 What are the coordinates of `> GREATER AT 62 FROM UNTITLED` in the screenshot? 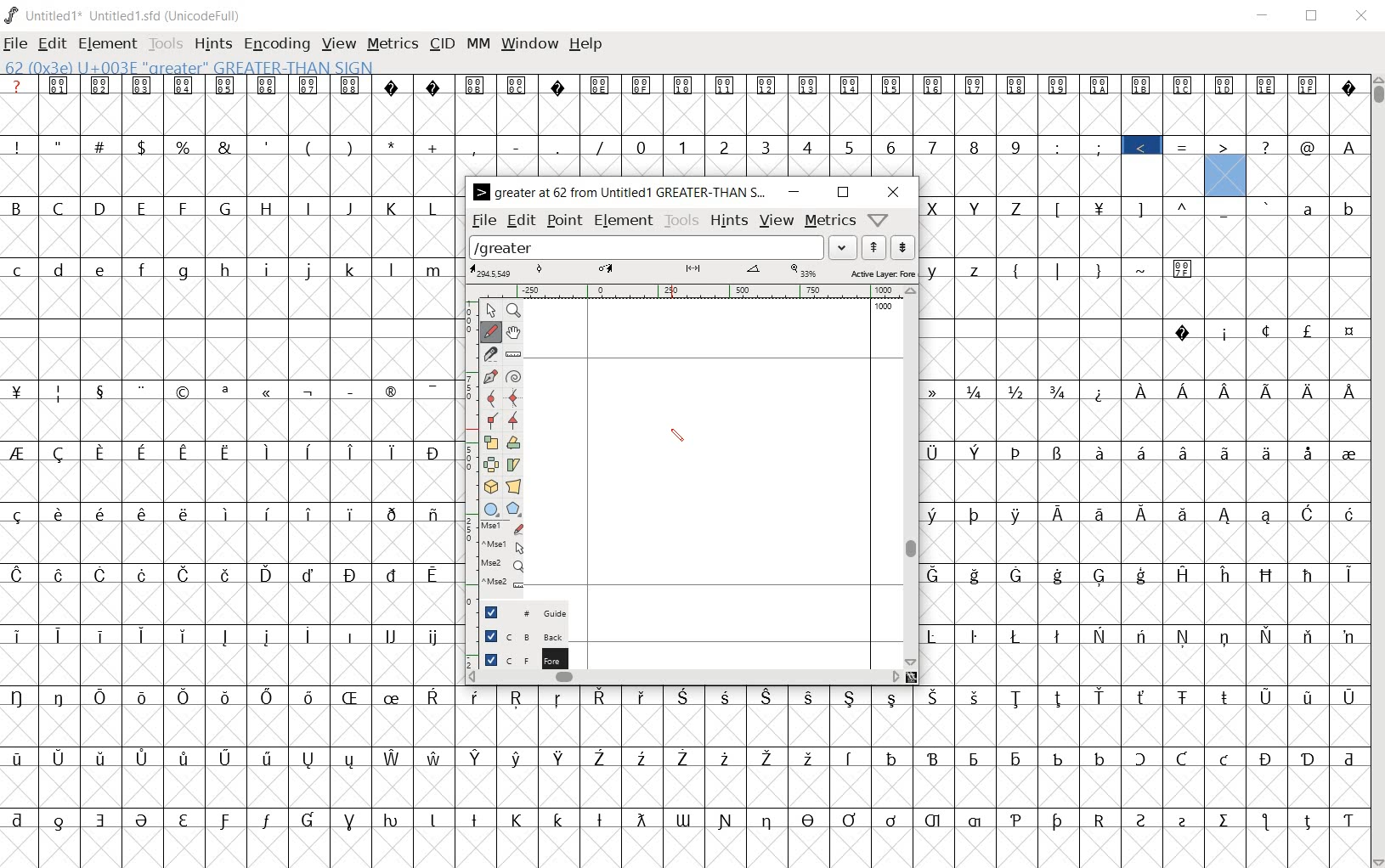 It's located at (619, 192).